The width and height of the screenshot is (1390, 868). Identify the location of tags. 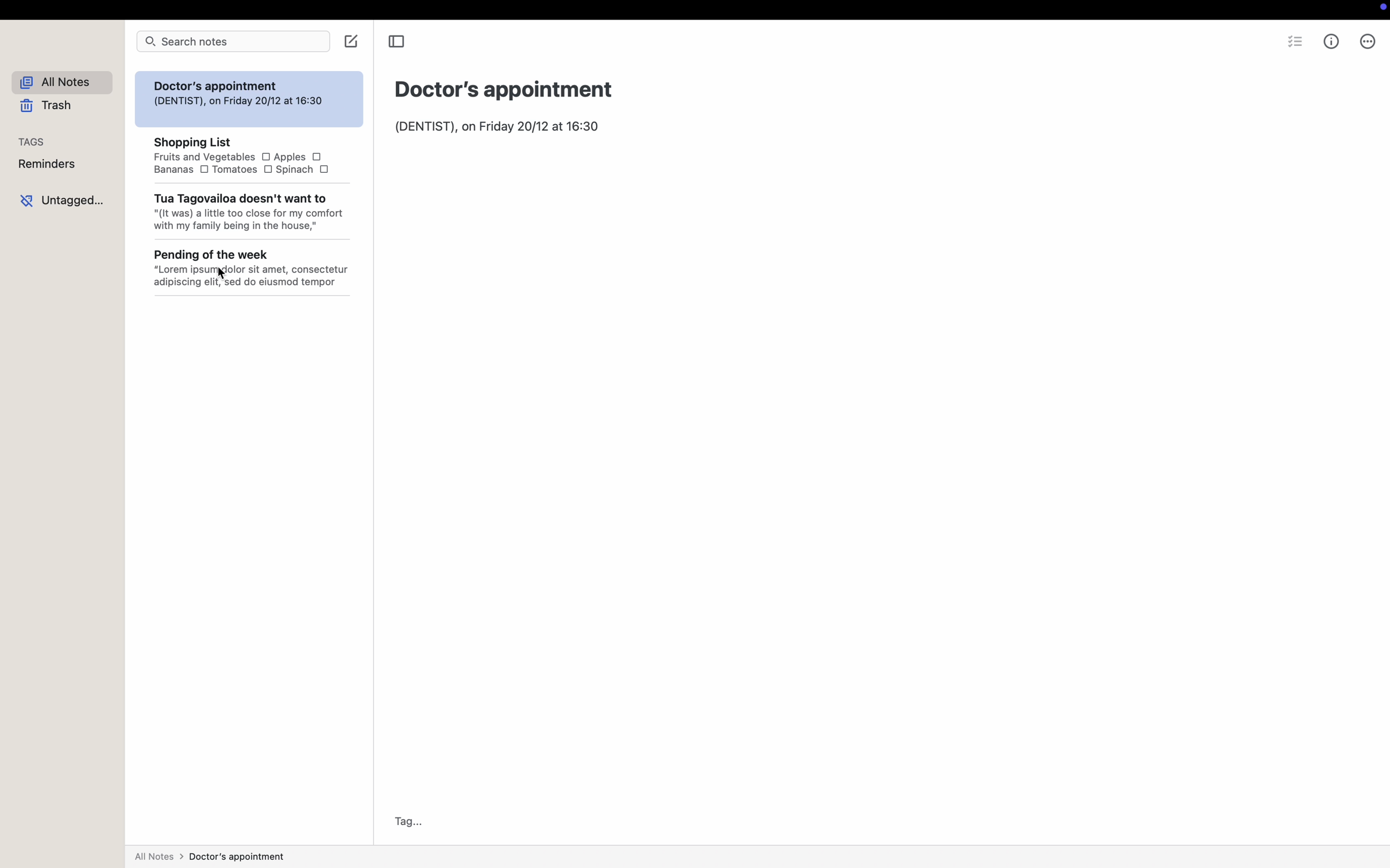
(36, 141).